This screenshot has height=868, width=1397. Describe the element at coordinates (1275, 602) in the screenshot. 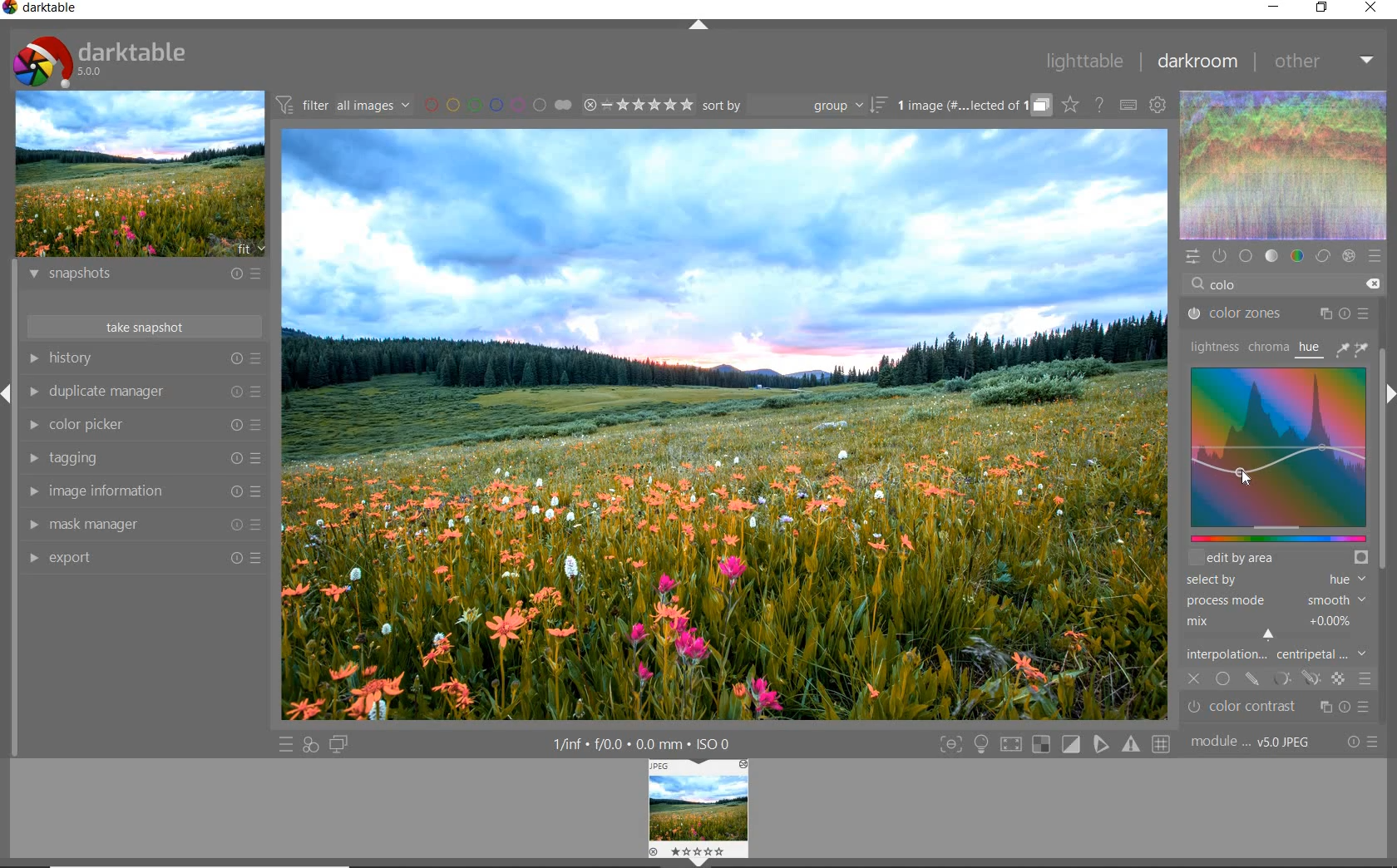

I see `process mode` at that location.